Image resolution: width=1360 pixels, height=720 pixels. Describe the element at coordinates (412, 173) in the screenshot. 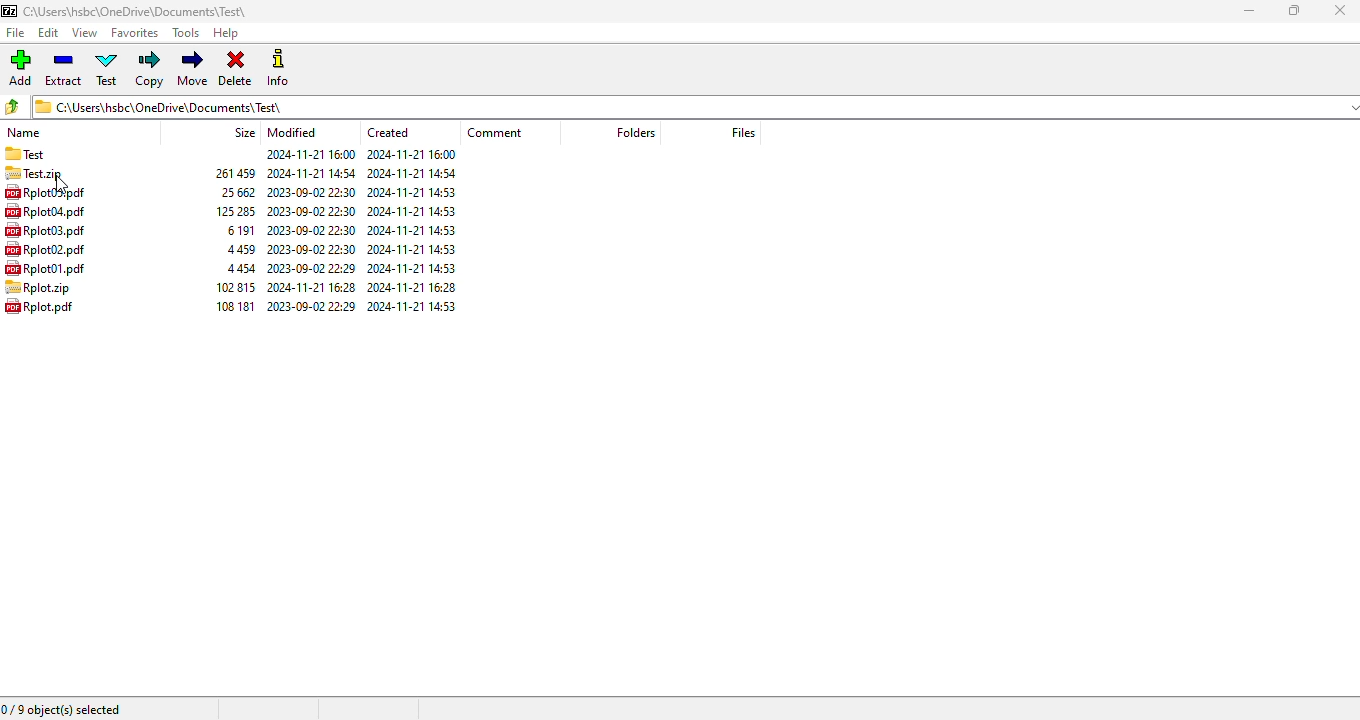

I see `created date & time` at that location.